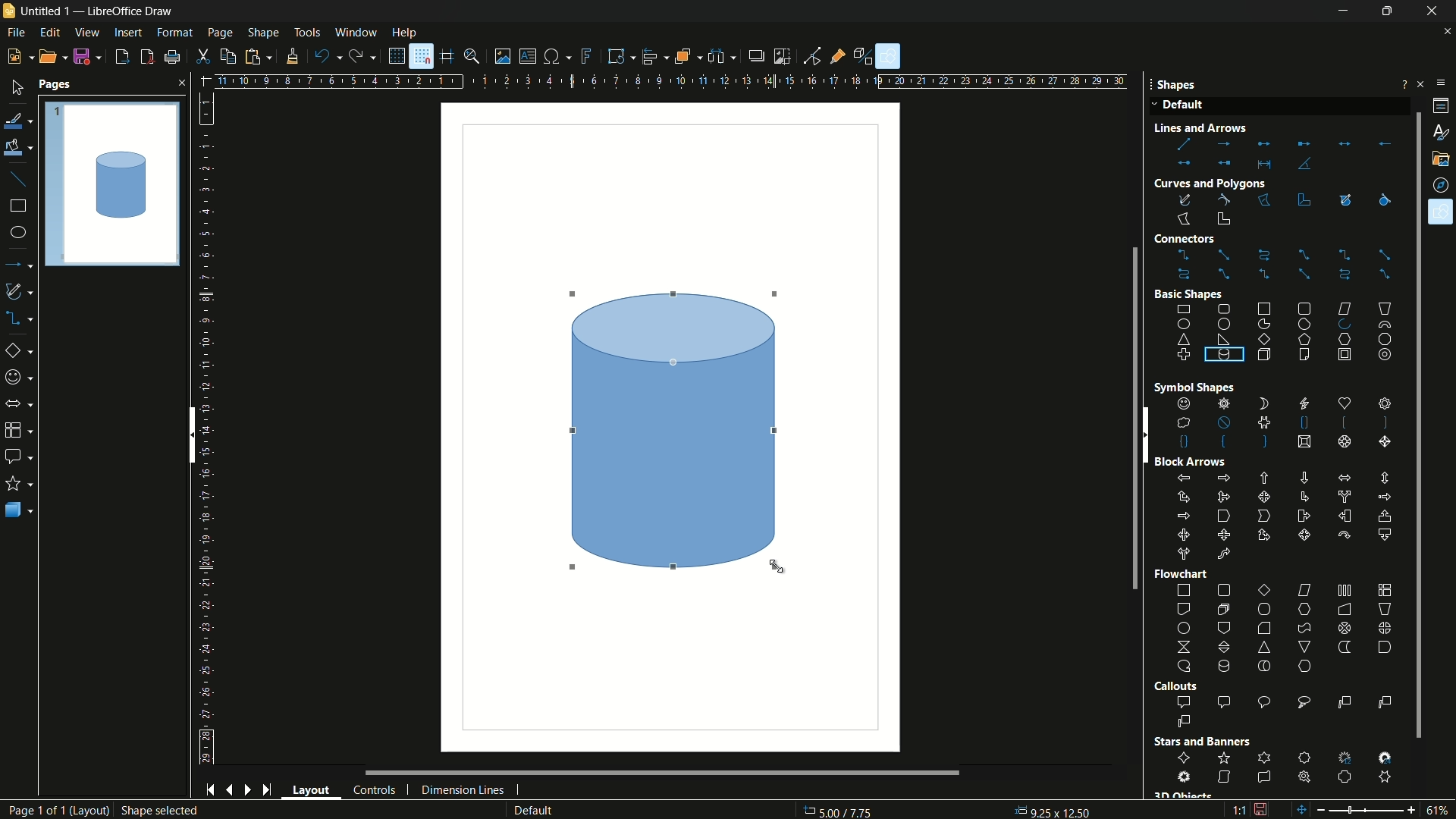 The height and width of the screenshot is (819, 1456). What do you see at coordinates (1413, 808) in the screenshot?
I see `zoom in` at bounding box center [1413, 808].